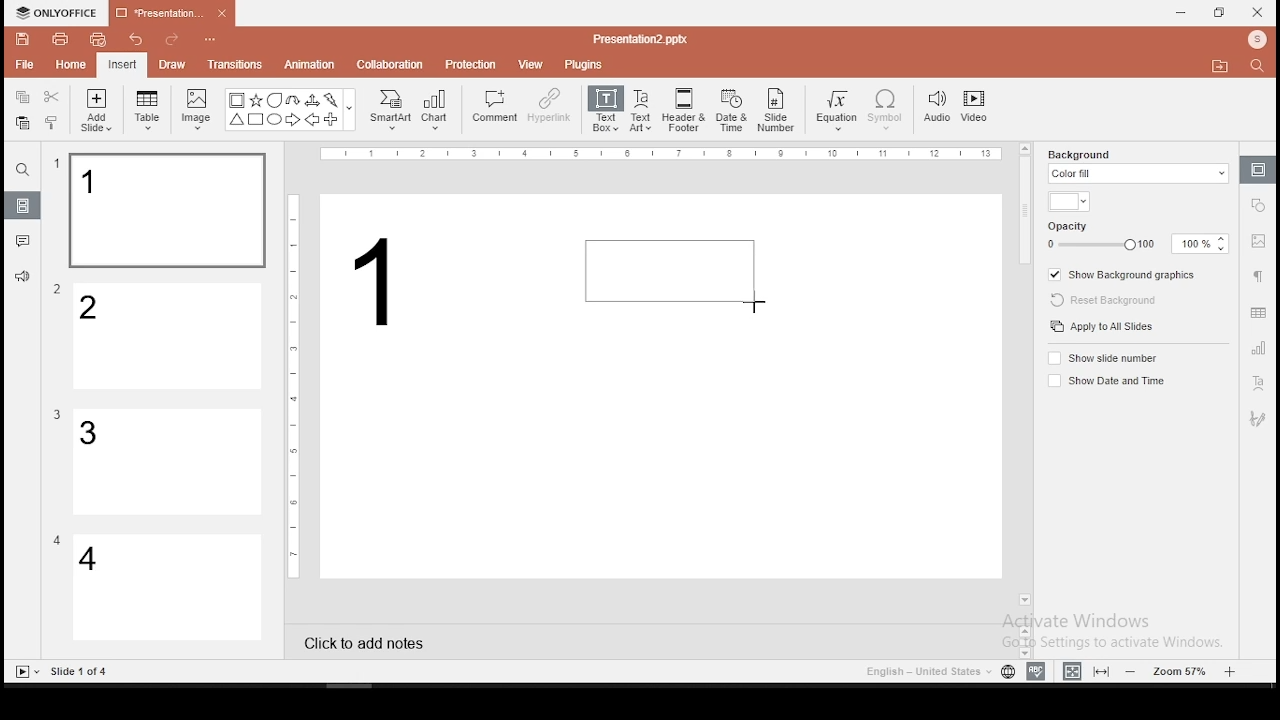 This screenshot has width=1280, height=720. I want to click on text, so click(388, 290).